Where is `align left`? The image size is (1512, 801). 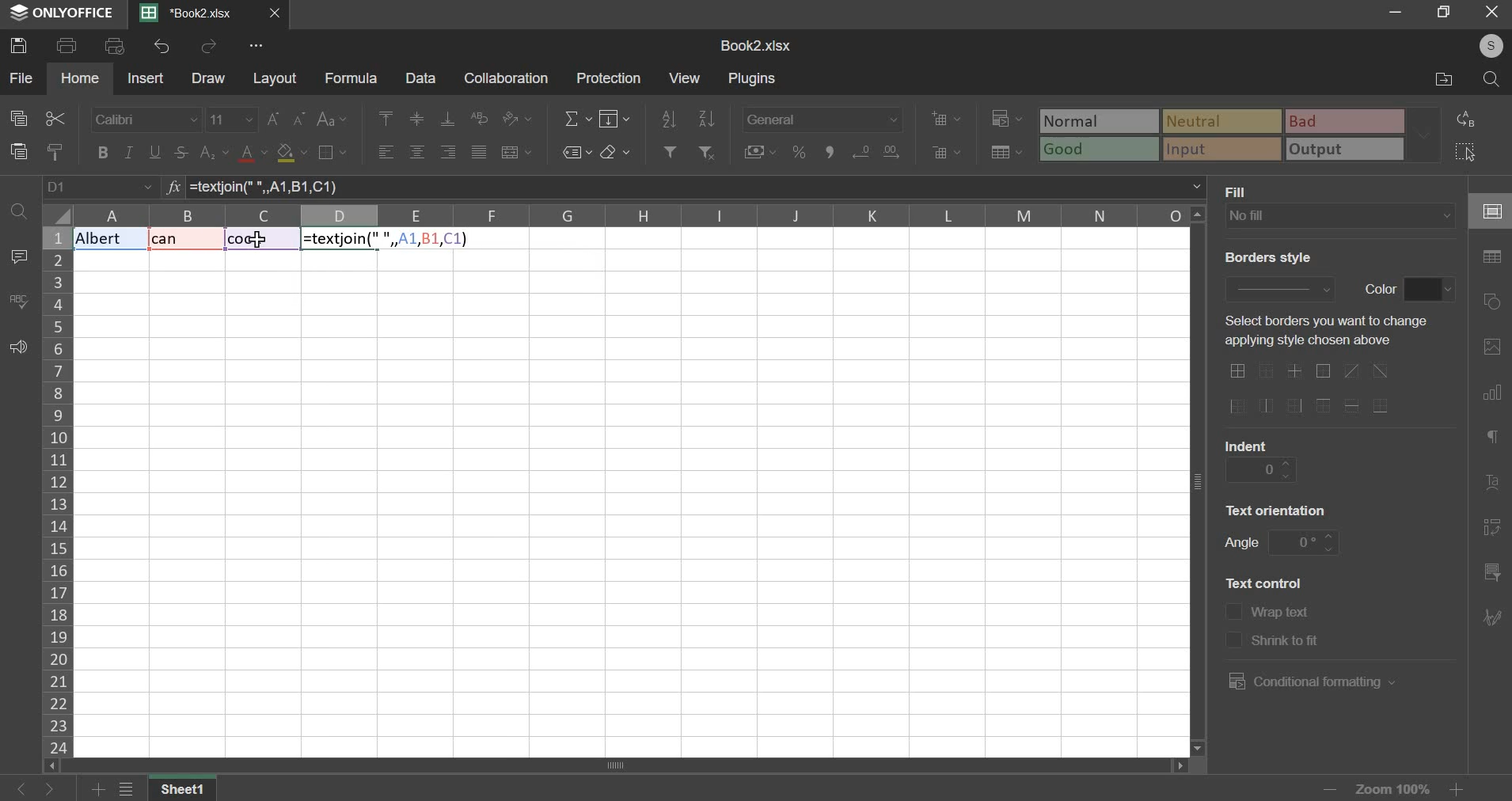 align left is located at coordinates (382, 117).